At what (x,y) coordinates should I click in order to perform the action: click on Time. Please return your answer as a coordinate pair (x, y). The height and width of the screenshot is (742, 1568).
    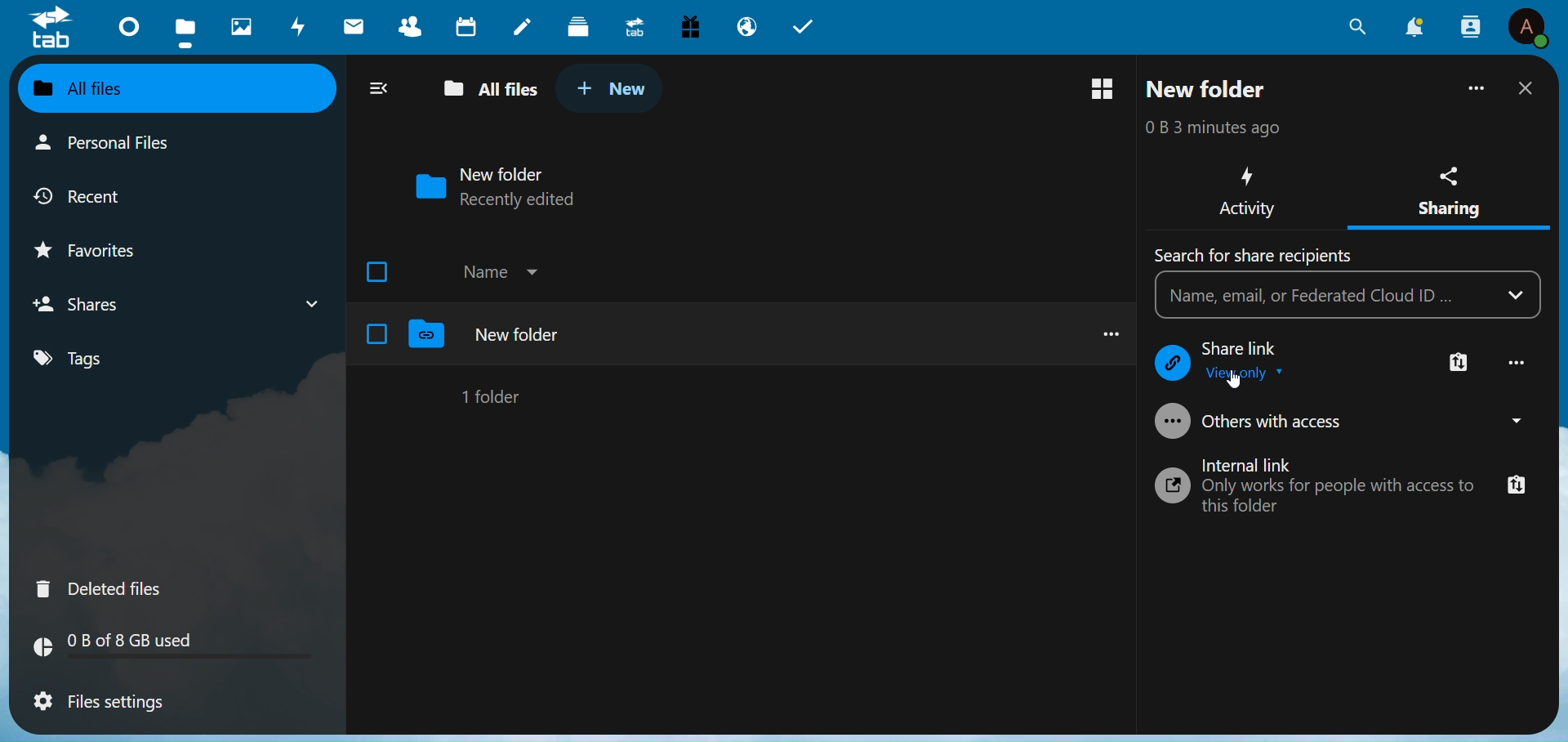
    Looking at the image, I should click on (1234, 127).